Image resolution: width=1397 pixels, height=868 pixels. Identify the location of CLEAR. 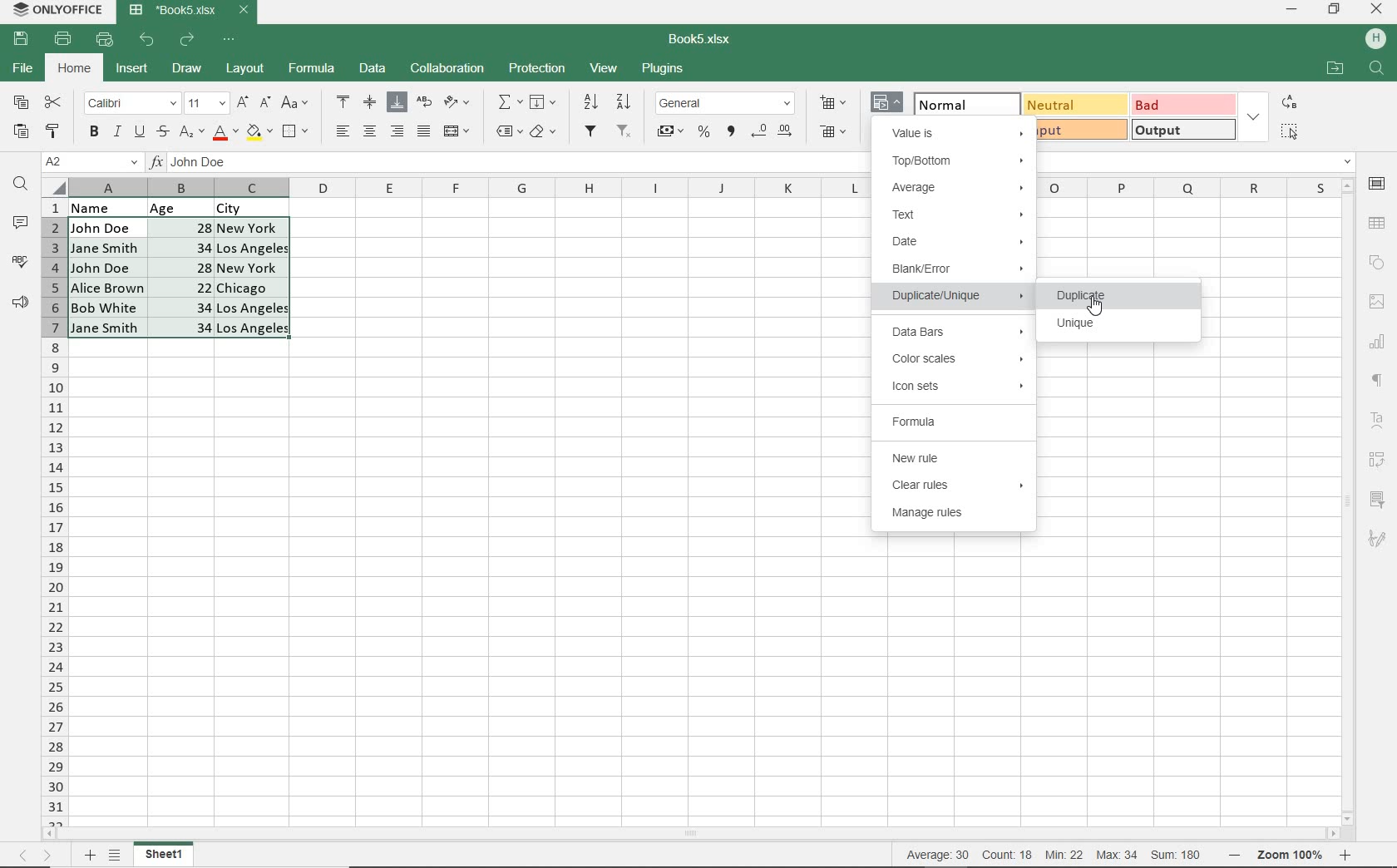
(542, 134).